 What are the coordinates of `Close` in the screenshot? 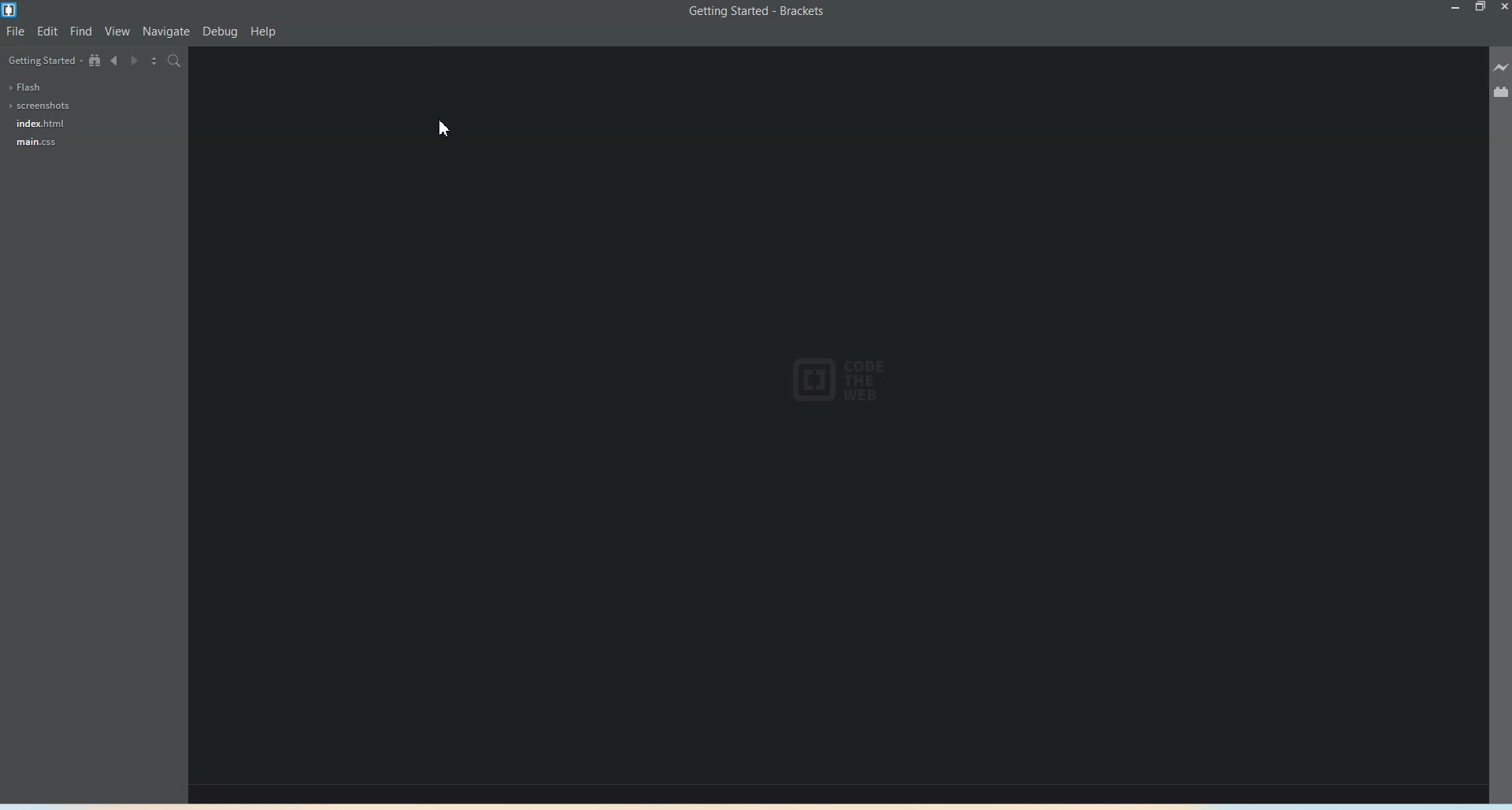 It's located at (1503, 8).